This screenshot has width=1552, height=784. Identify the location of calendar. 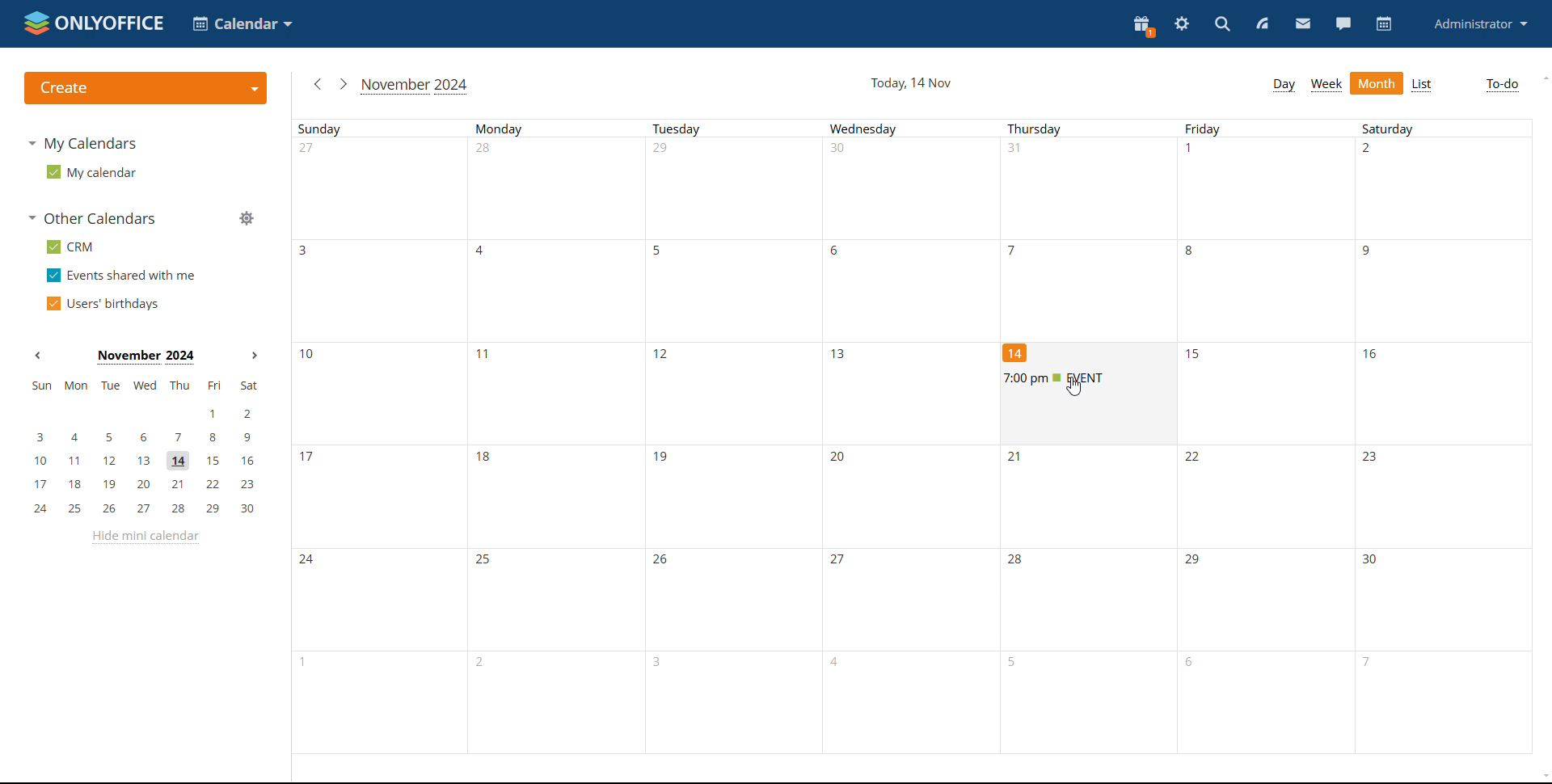
(1382, 25).